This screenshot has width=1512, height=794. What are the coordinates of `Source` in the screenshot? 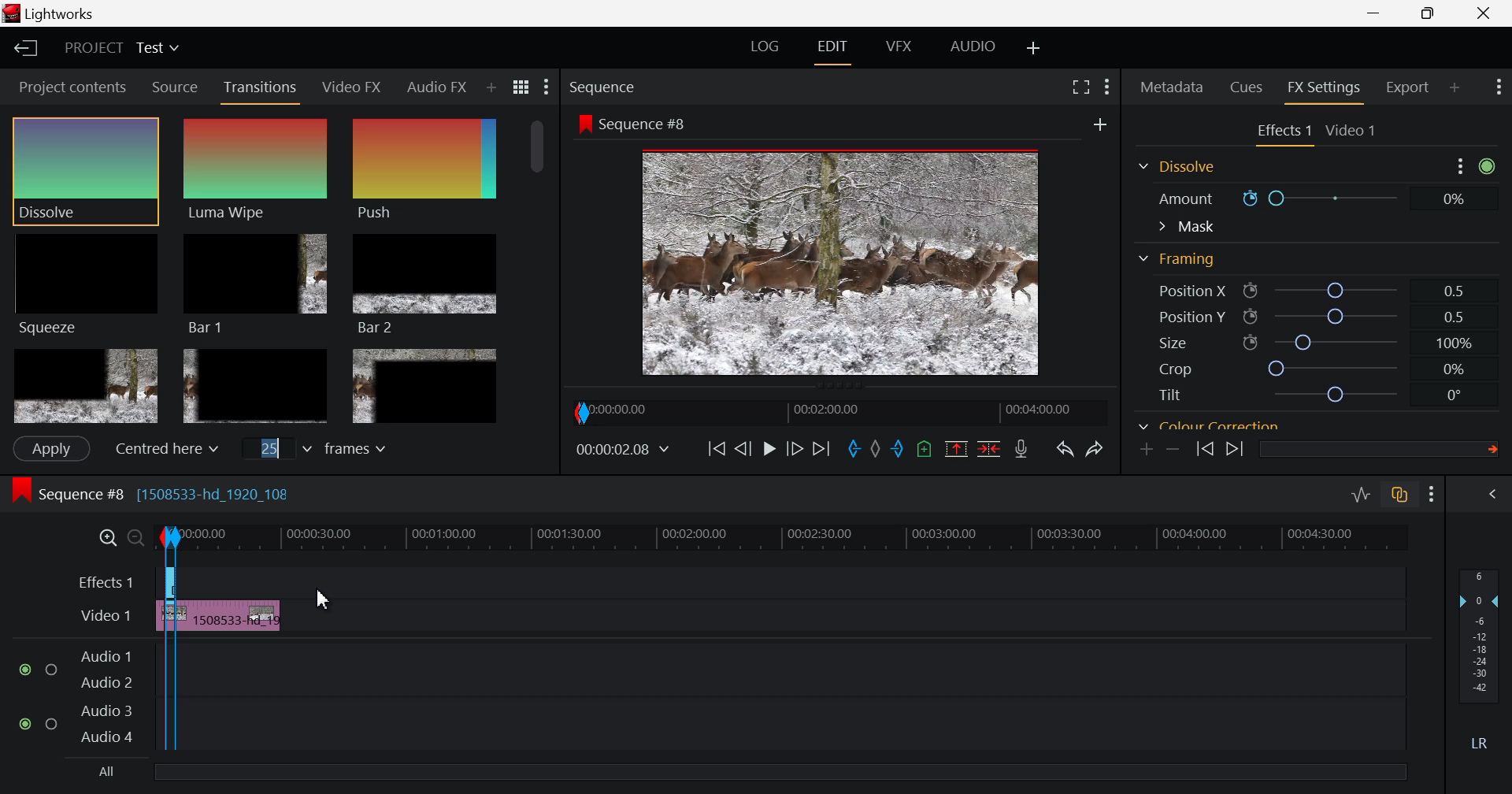 It's located at (173, 86).